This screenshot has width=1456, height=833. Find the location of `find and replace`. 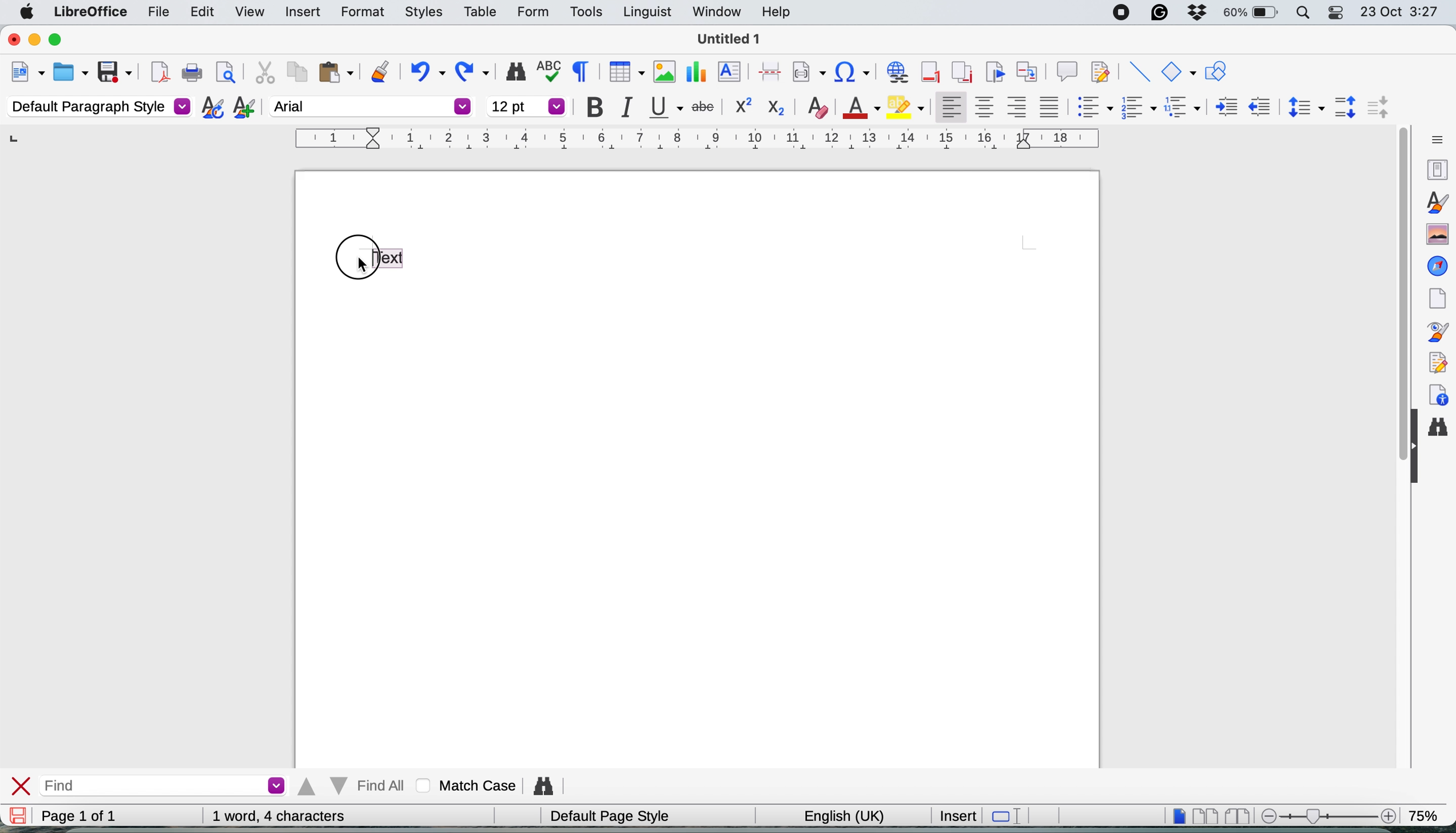

find and replace is located at coordinates (1442, 433).